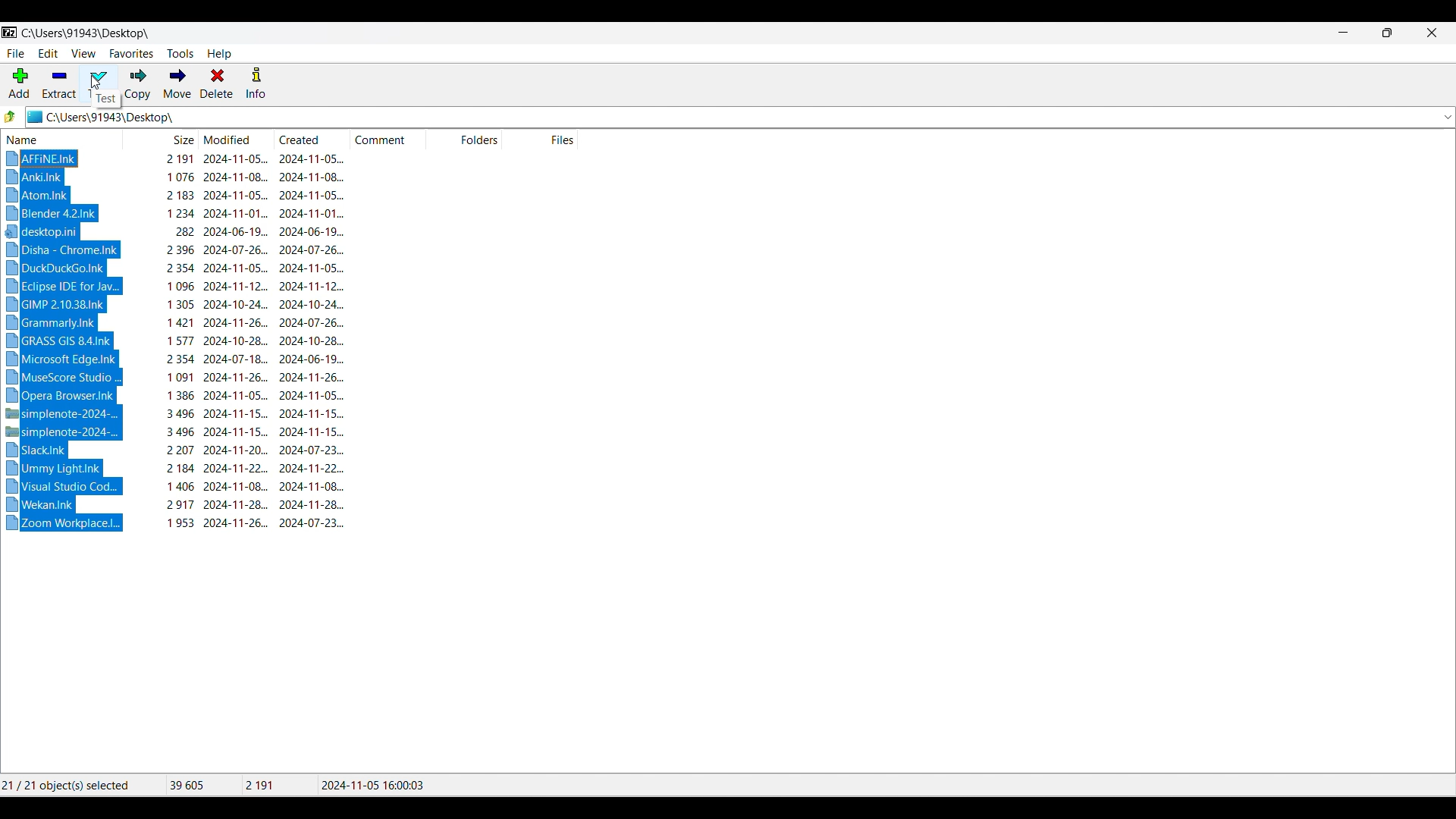 This screenshot has height=819, width=1456. Describe the element at coordinates (256, 340) in the screenshot. I see `Details of each file in current folder with respect to the column under each` at that location.